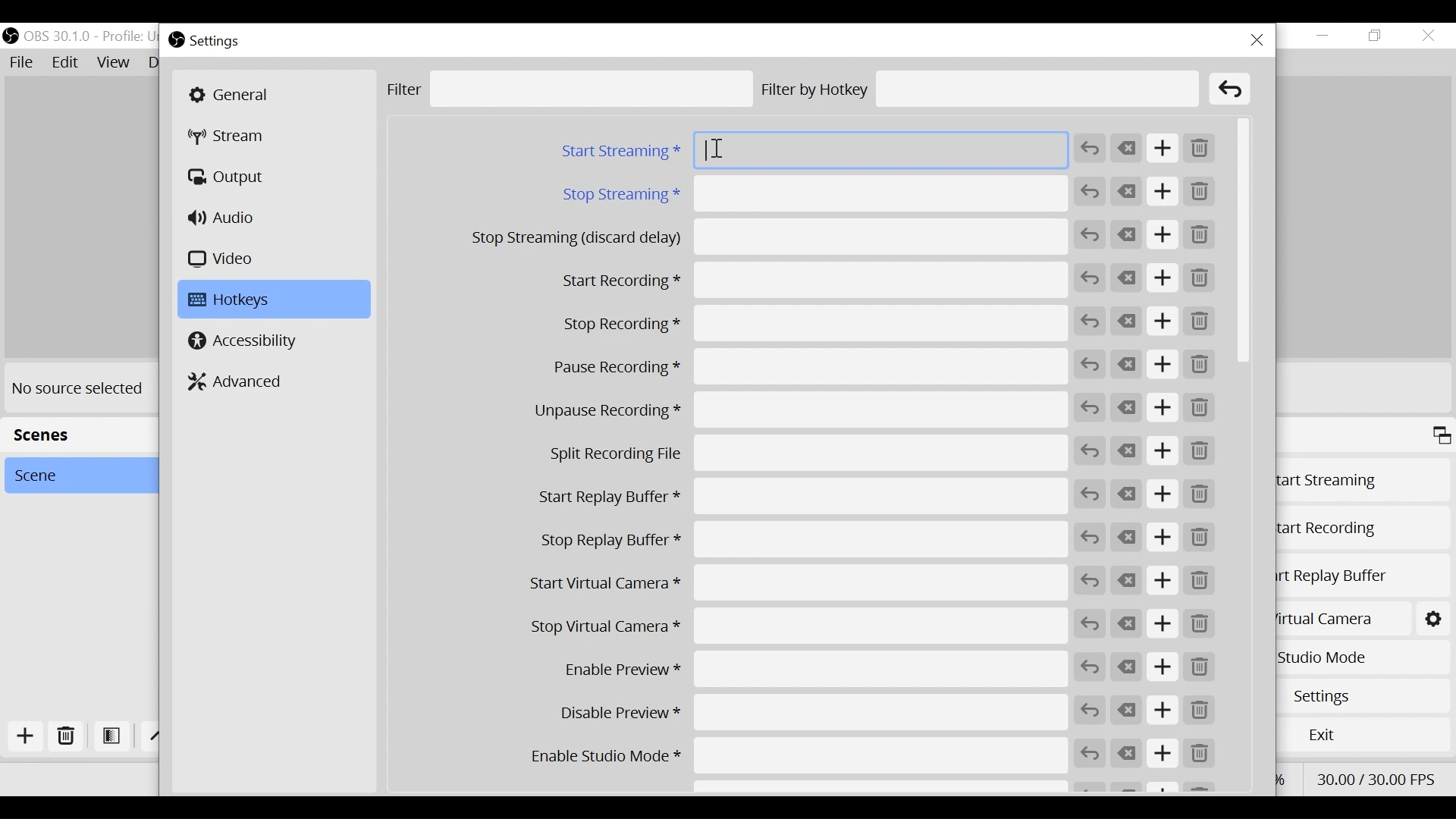 This screenshot has height=819, width=1456. What do you see at coordinates (1436, 619) in the screenshot?
I see `Start Virtual Camera Settings` at bounding box center [1436, 619].